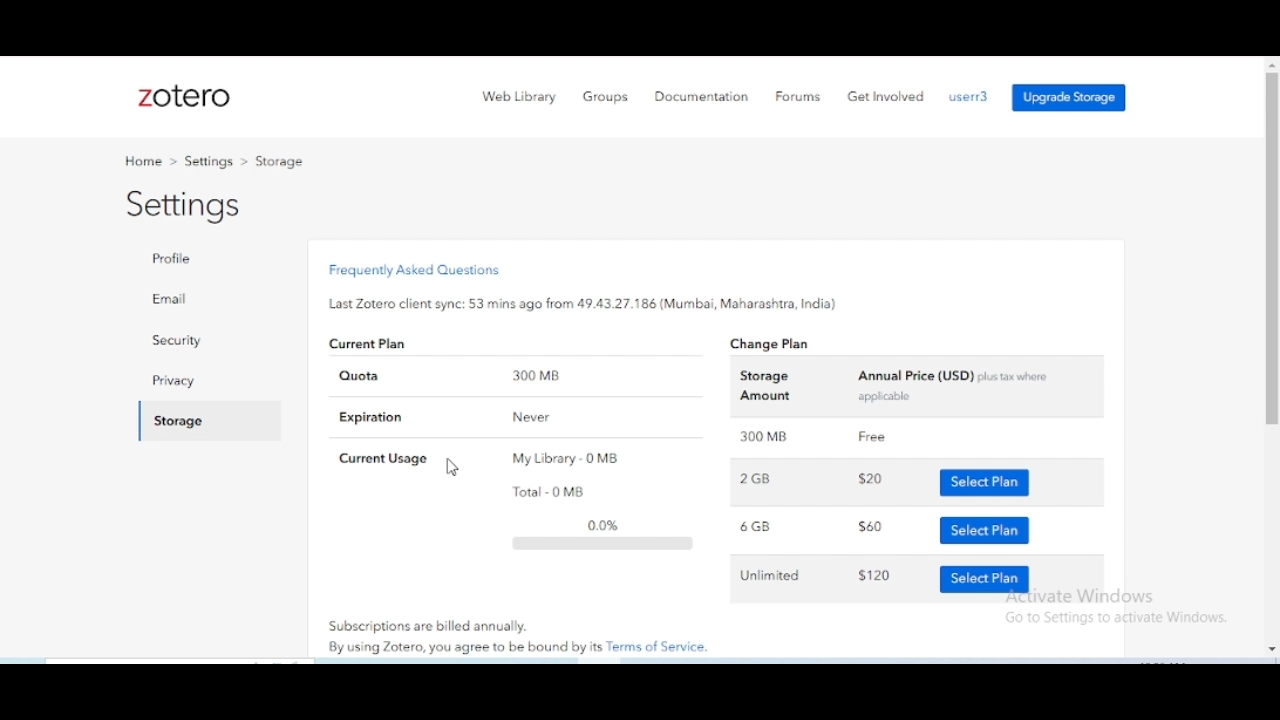 This screenshot has height=720, width=1280. What do you see at coordinates (372, 418) in the screenshot?
I see `expiration` at bounding box center [372, 418].